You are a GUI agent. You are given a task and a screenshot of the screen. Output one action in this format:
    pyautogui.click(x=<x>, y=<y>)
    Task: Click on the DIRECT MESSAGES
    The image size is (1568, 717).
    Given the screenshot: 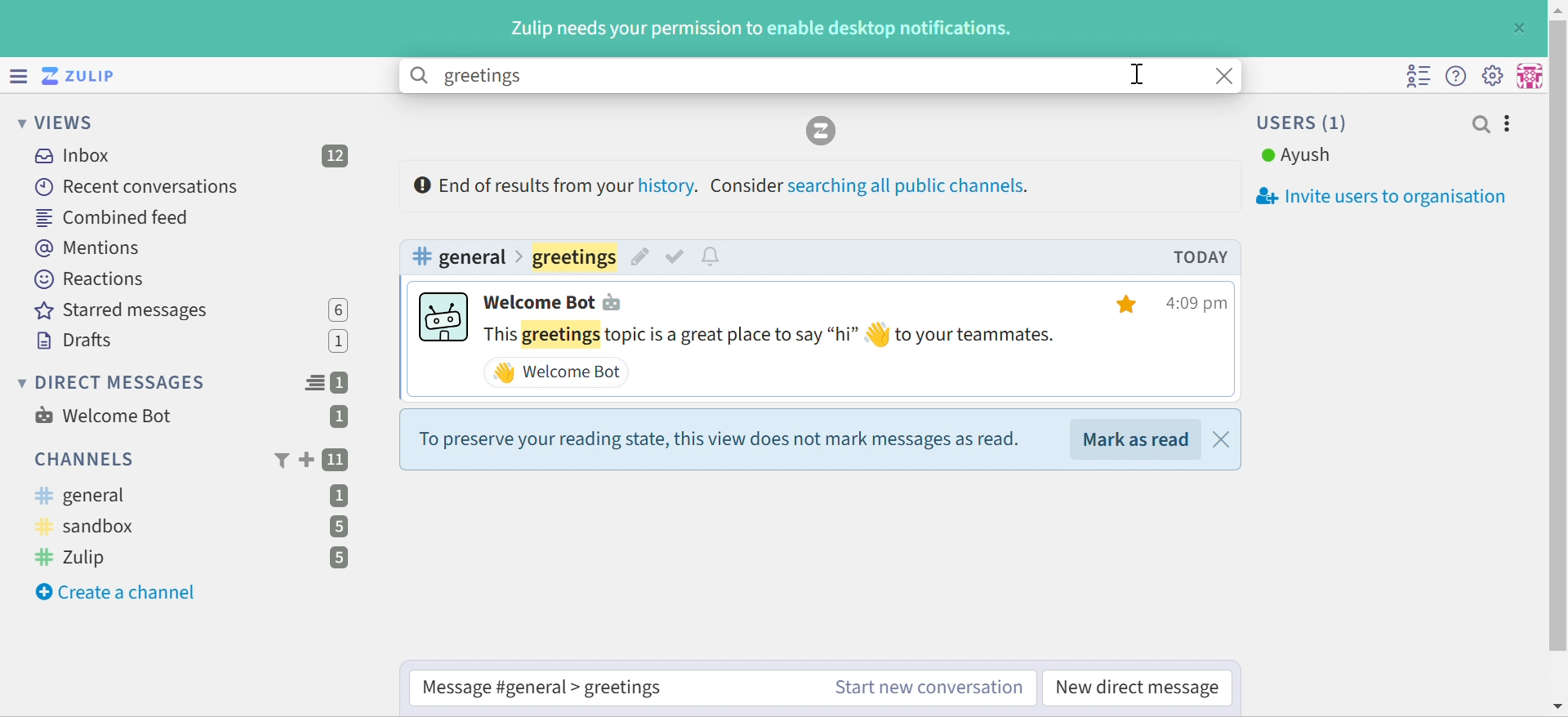 What is the action you would take?
    pyautogui.click(x=113, y=383)
    